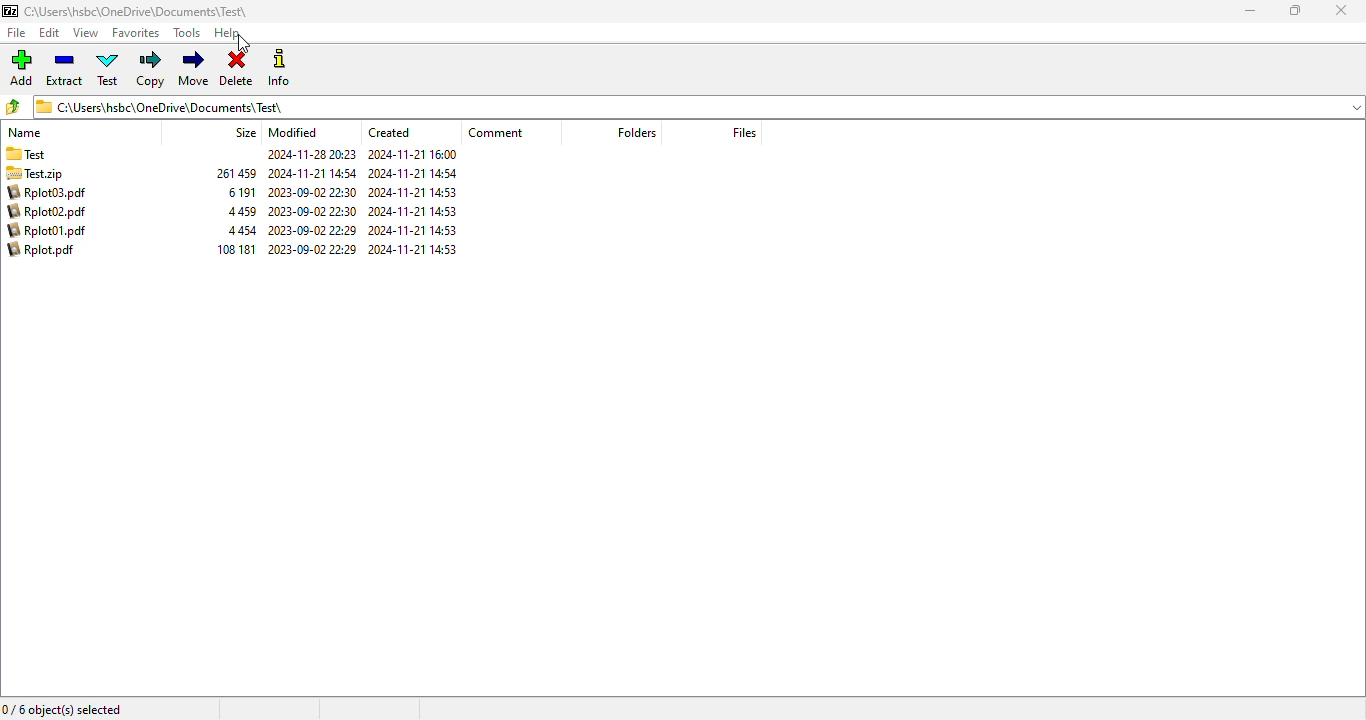 The image size is (1366, 720). Describe the element at coordinates (108, 68) in the screenshot. I see `test` at that location.